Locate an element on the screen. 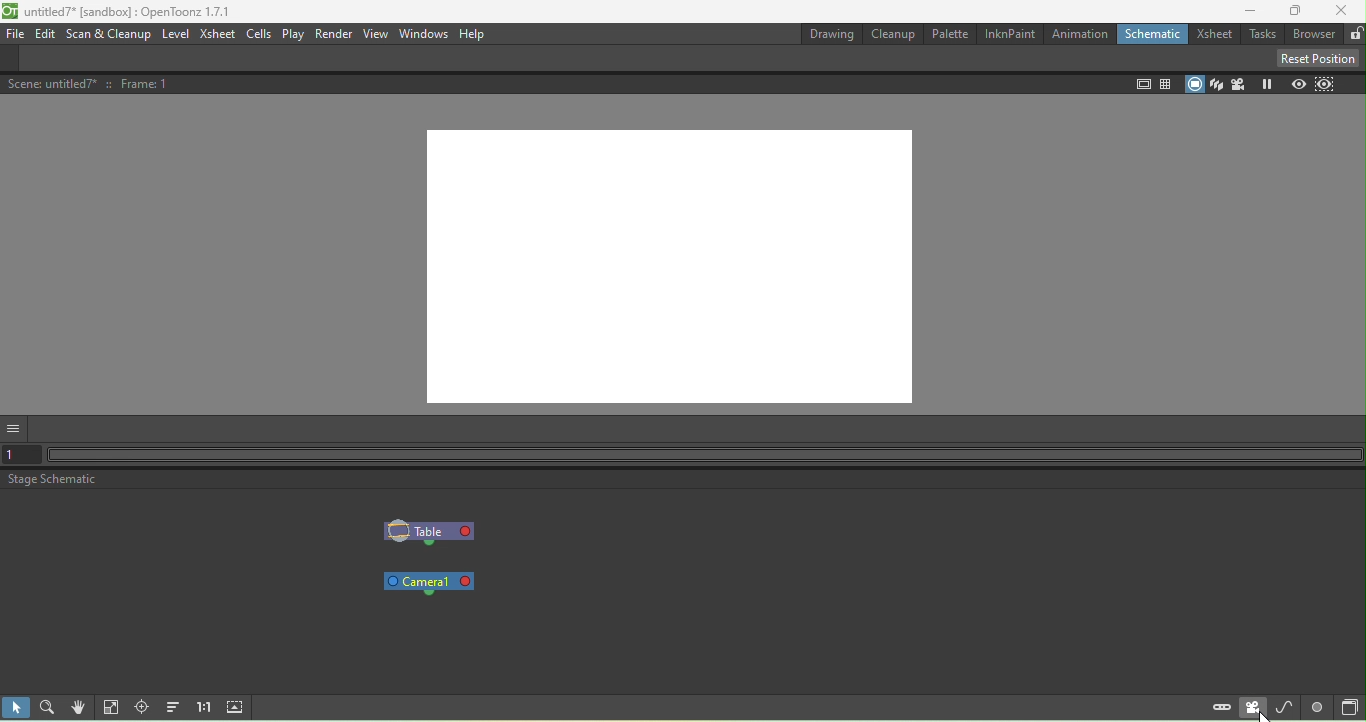  Set the current frame is located at coordinates (20, 457).